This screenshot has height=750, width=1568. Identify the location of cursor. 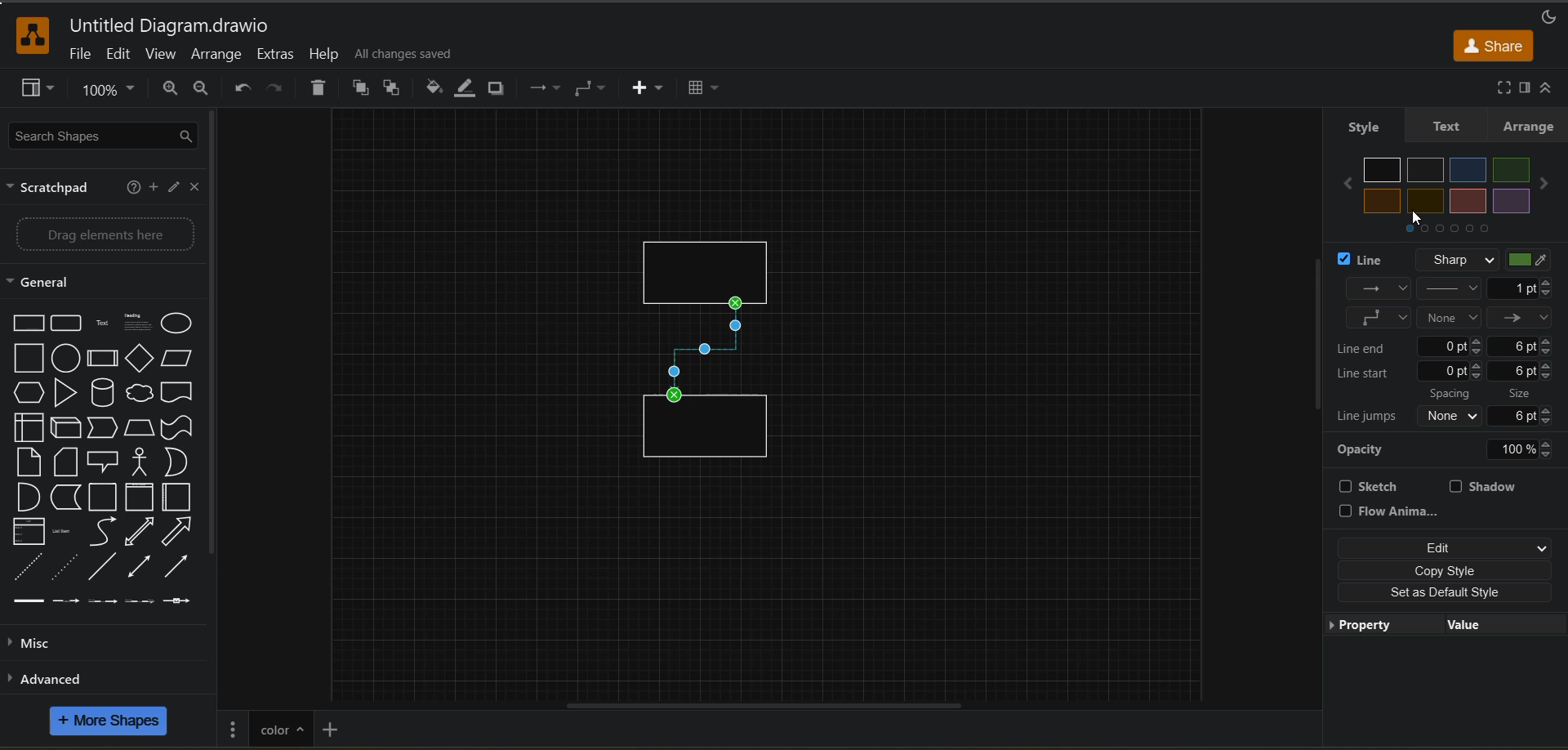
(1421, 220).